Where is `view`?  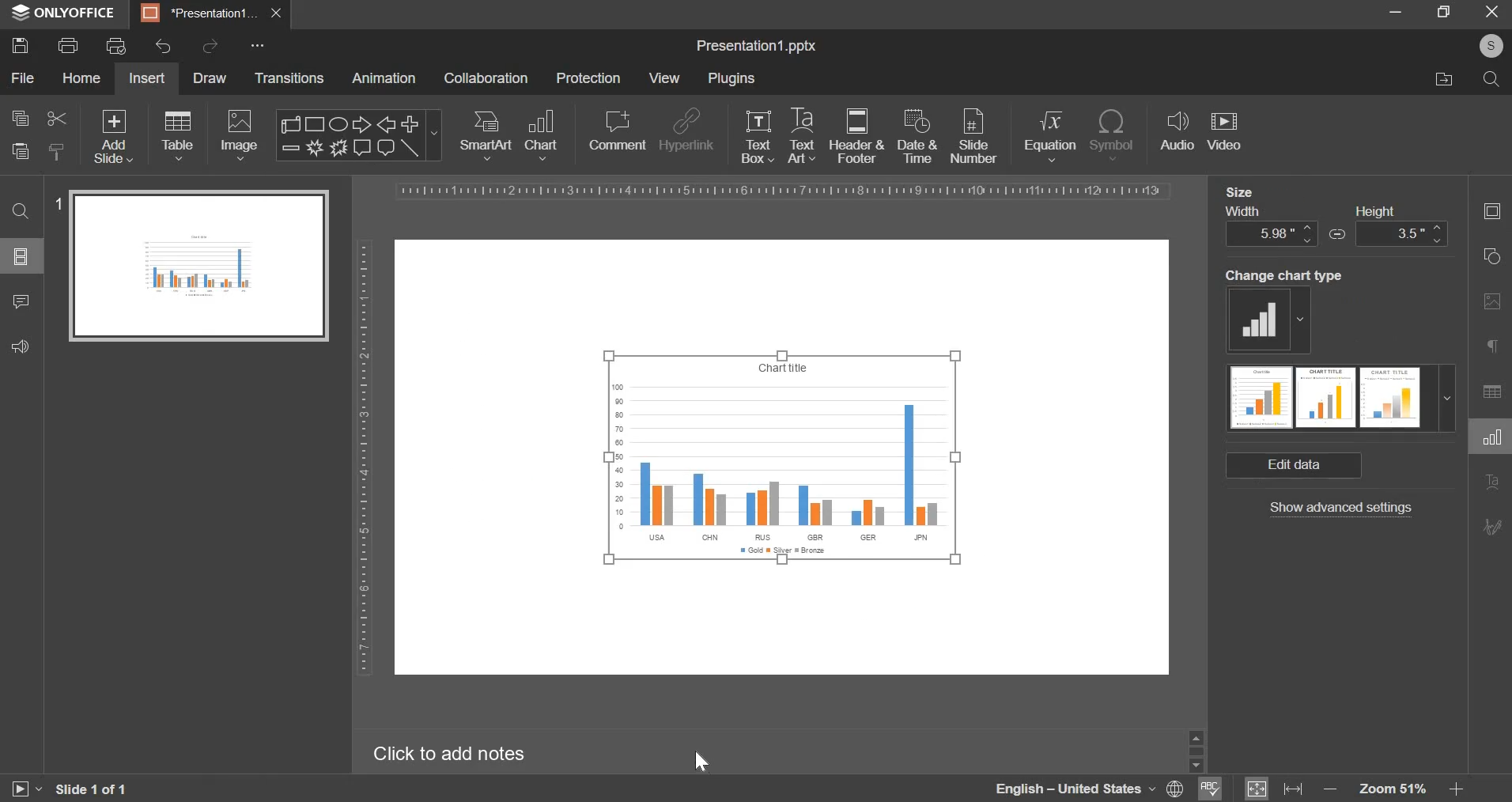 view is located at coordinates (667, 78).